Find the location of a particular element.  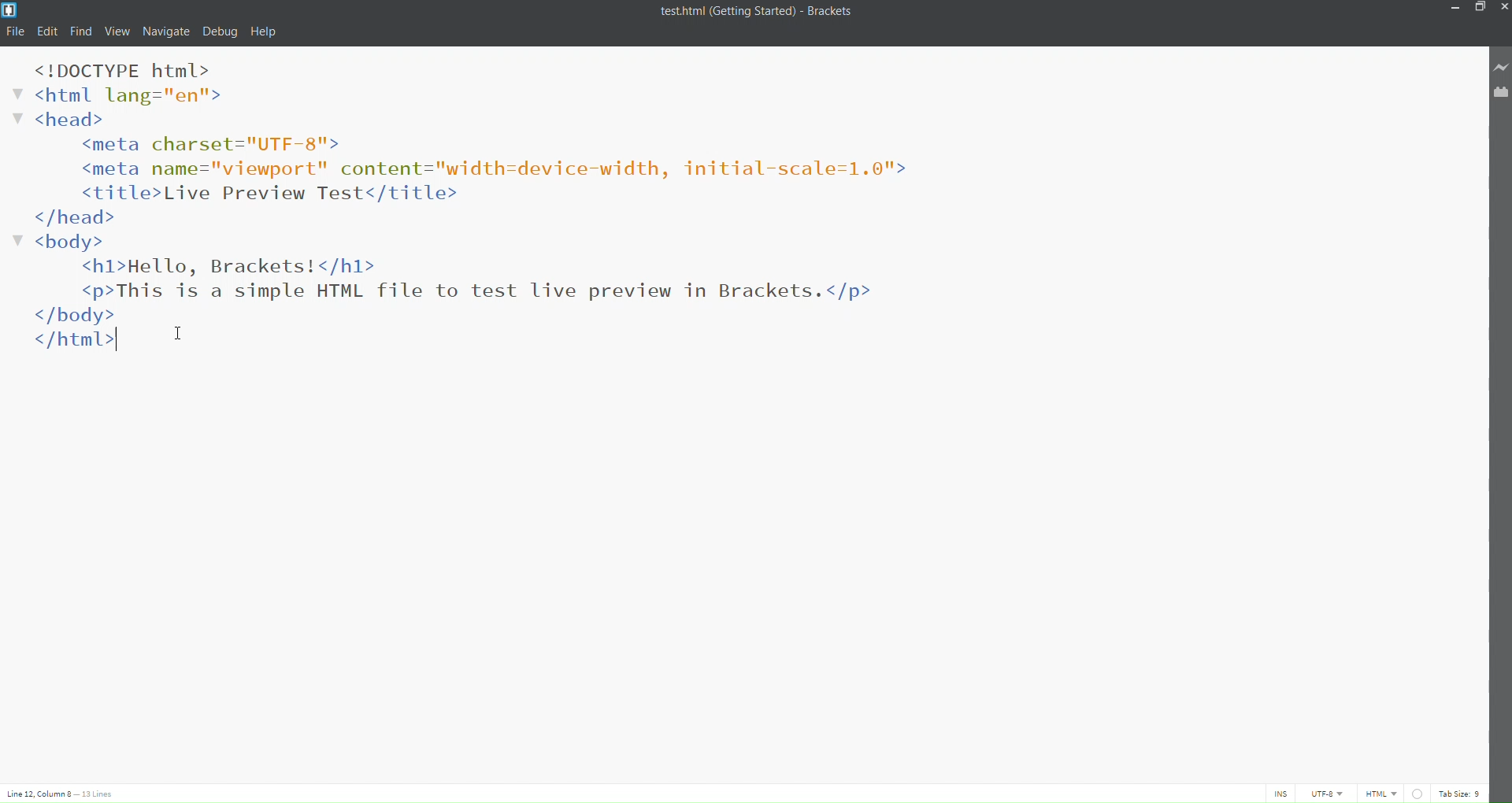

Extension Manger is located at coordinates (1502, 91).